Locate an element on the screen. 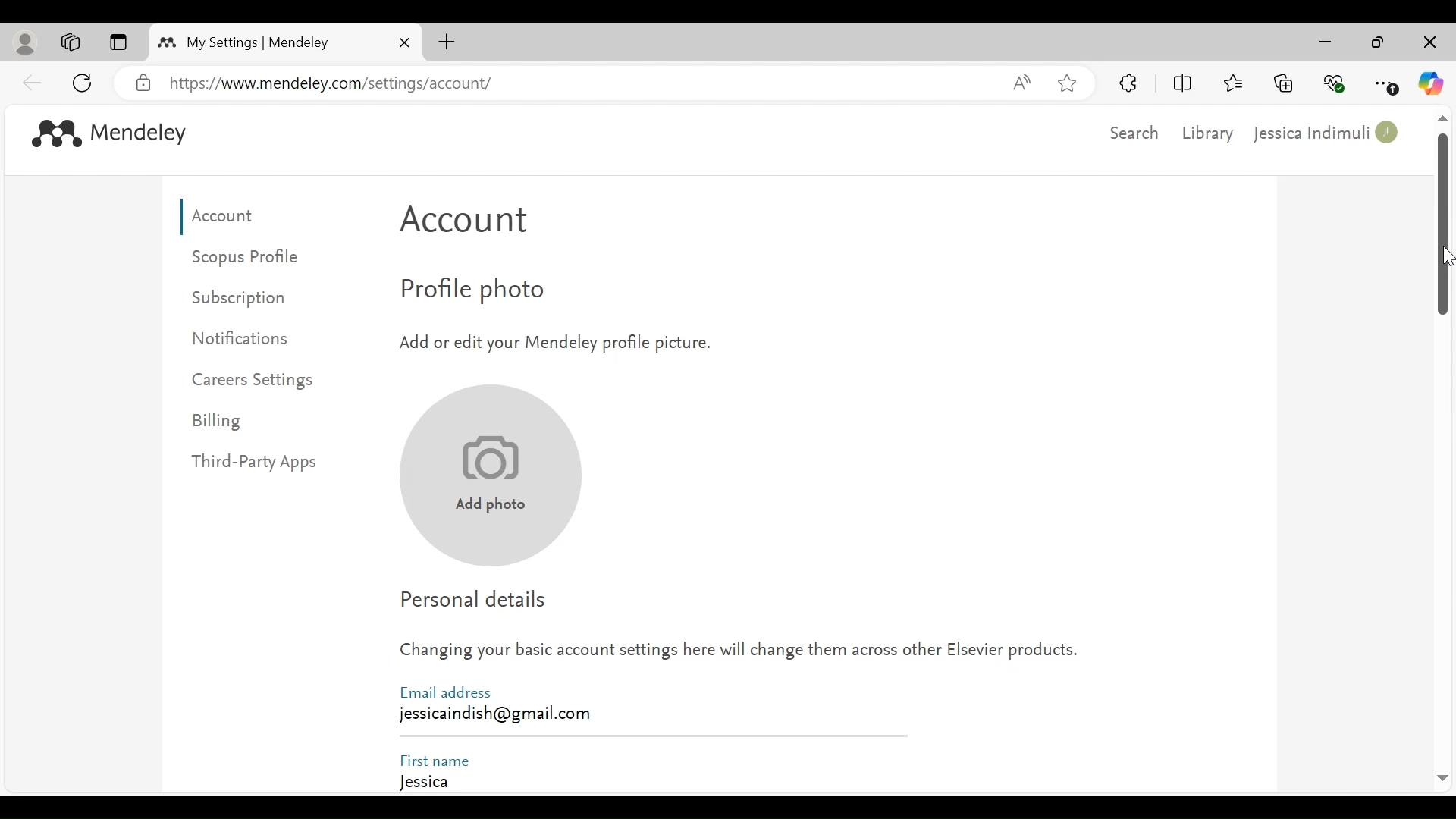 The image size is (1456, 819). New Tab is located at coordinates (447, 42).